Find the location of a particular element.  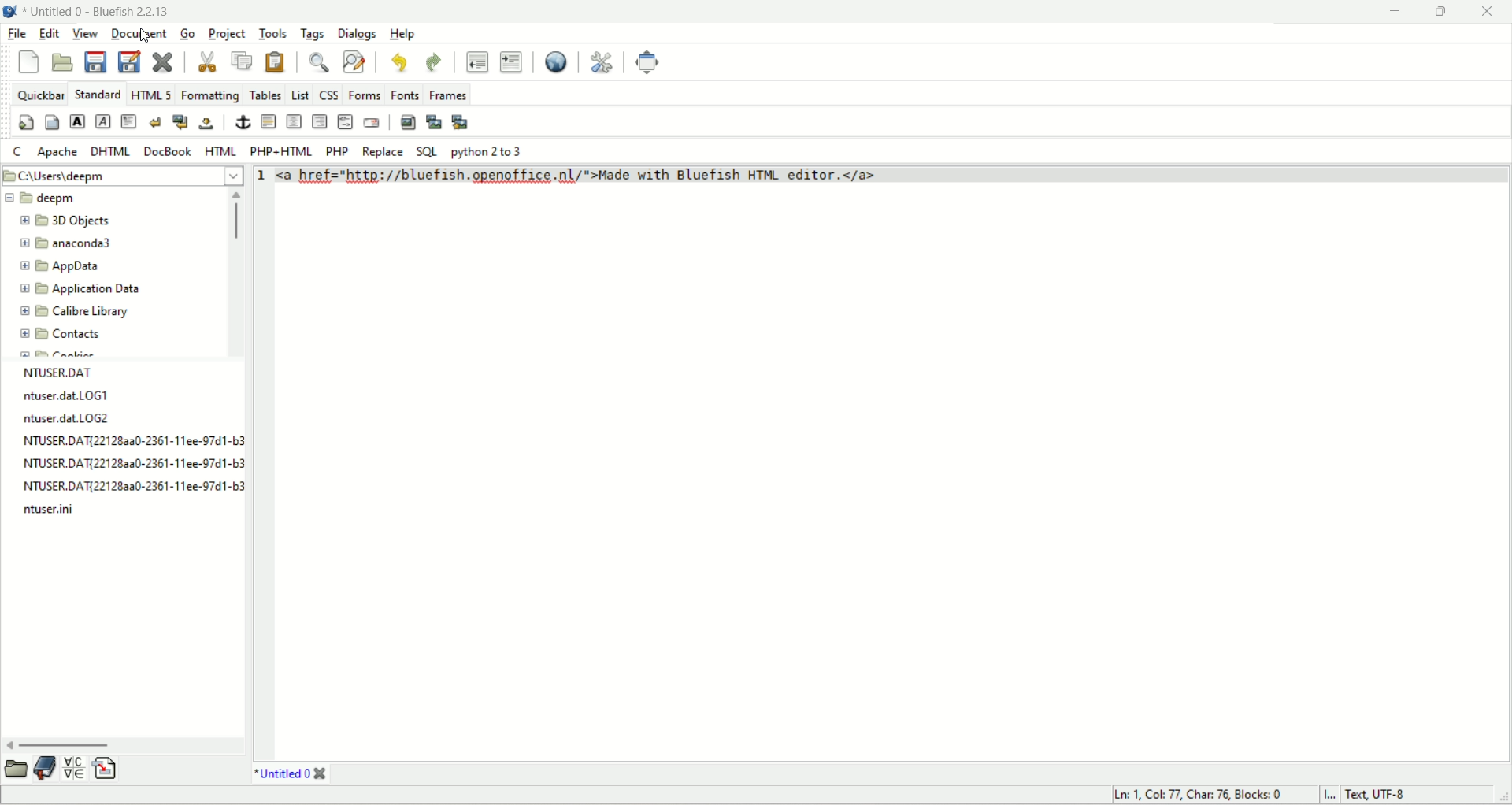

3D object is located at coordinates (65, 221).